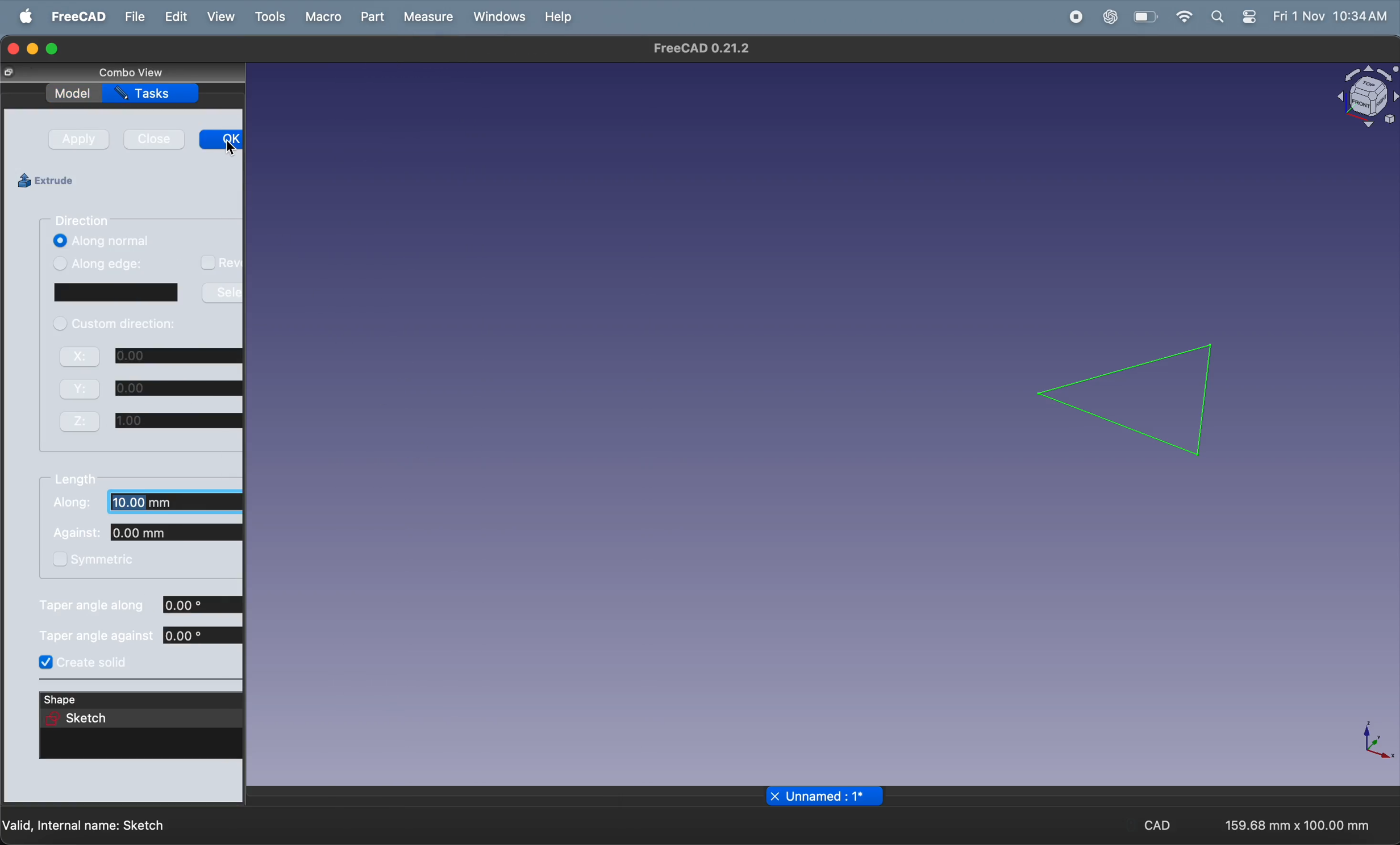 The height and width of the screenshot is (845, 1400). Describe the element at coordinates (180, 421) in the screenshot. I see `z coordinate` at that location.